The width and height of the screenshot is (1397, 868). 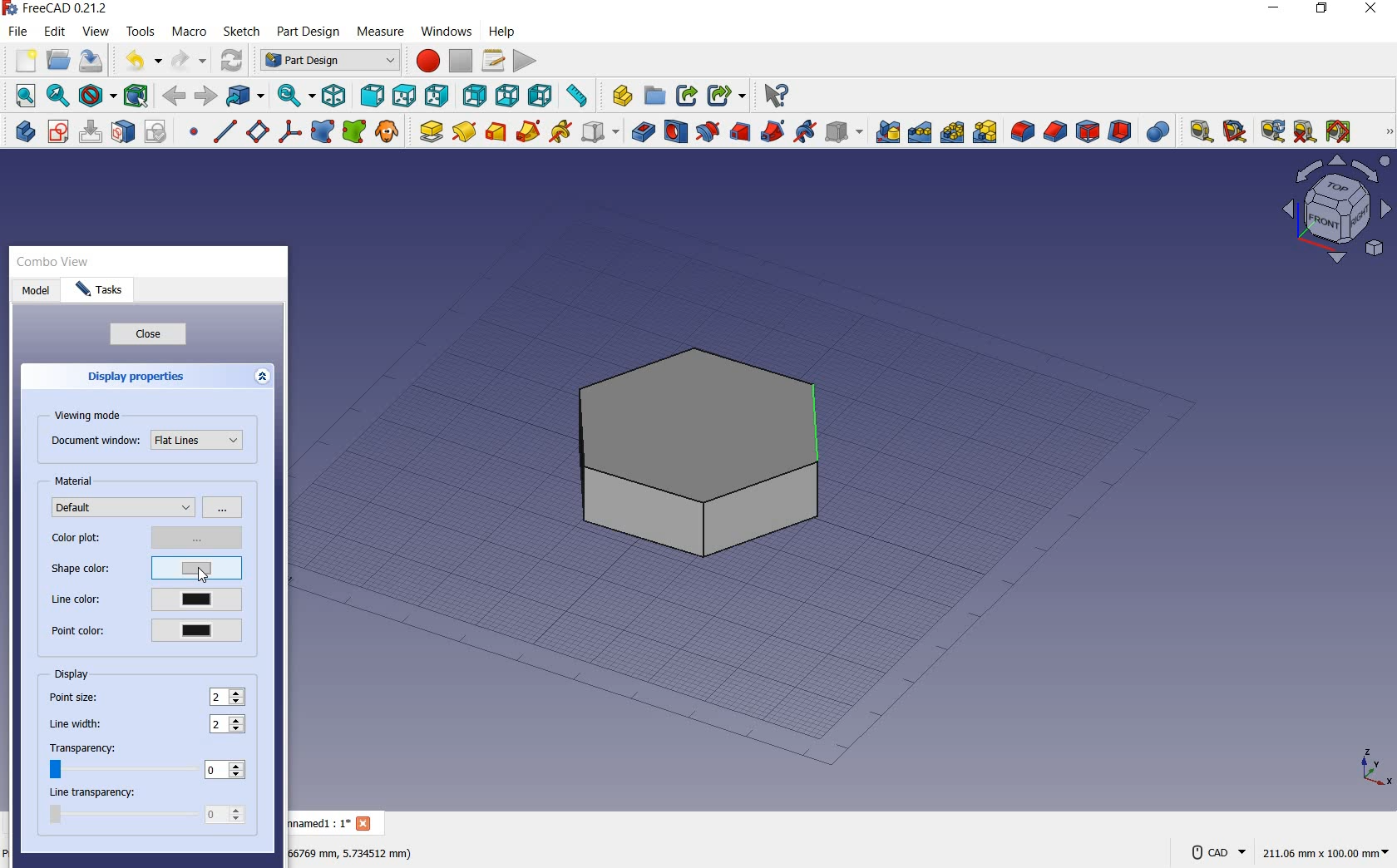 I want to click on line width: 2, so click(x=227, y=723).